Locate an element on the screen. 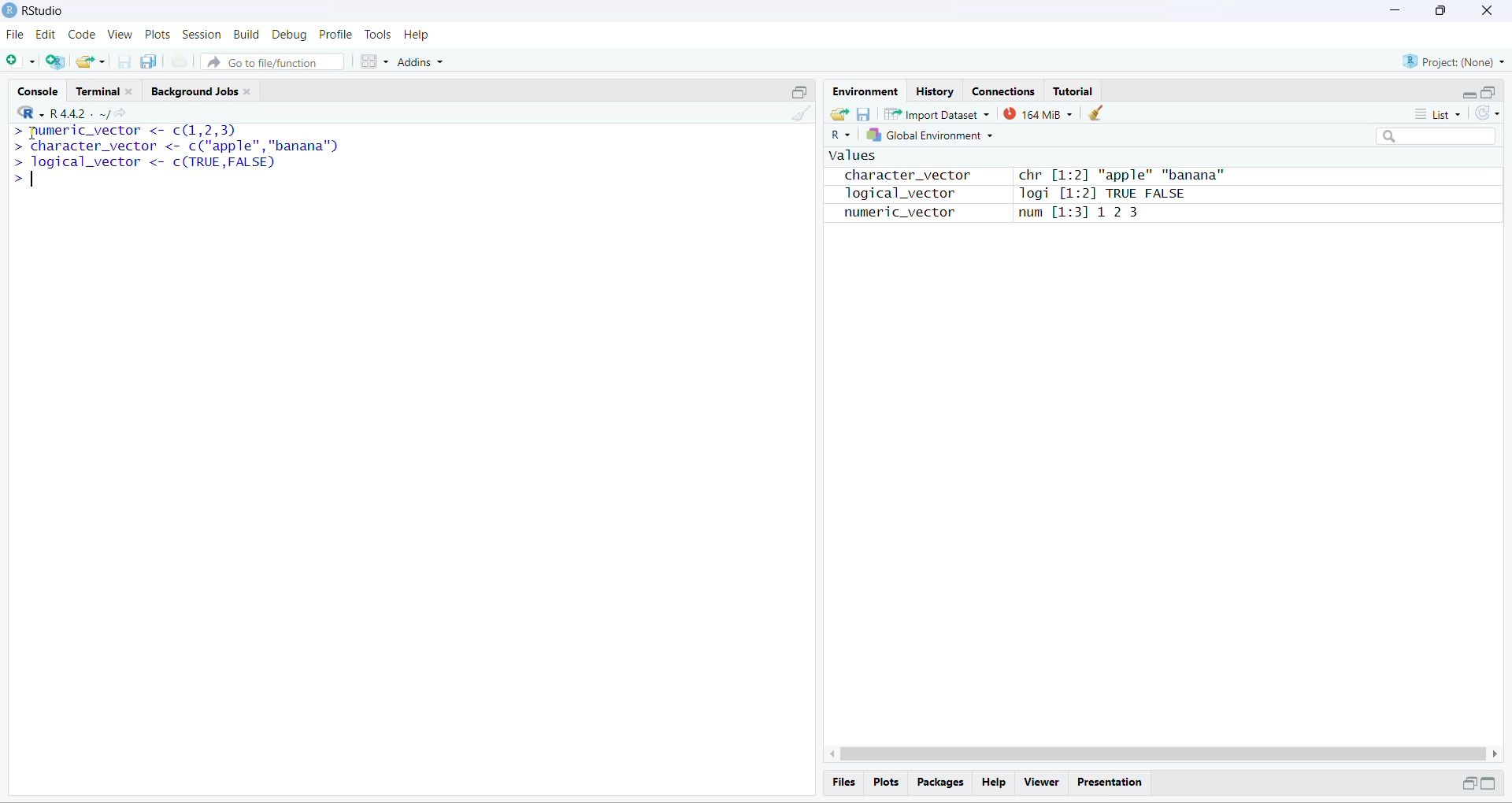 The height and width of the screenshot is (803, 1512). workspace panes is located at coordinates (373, 61).